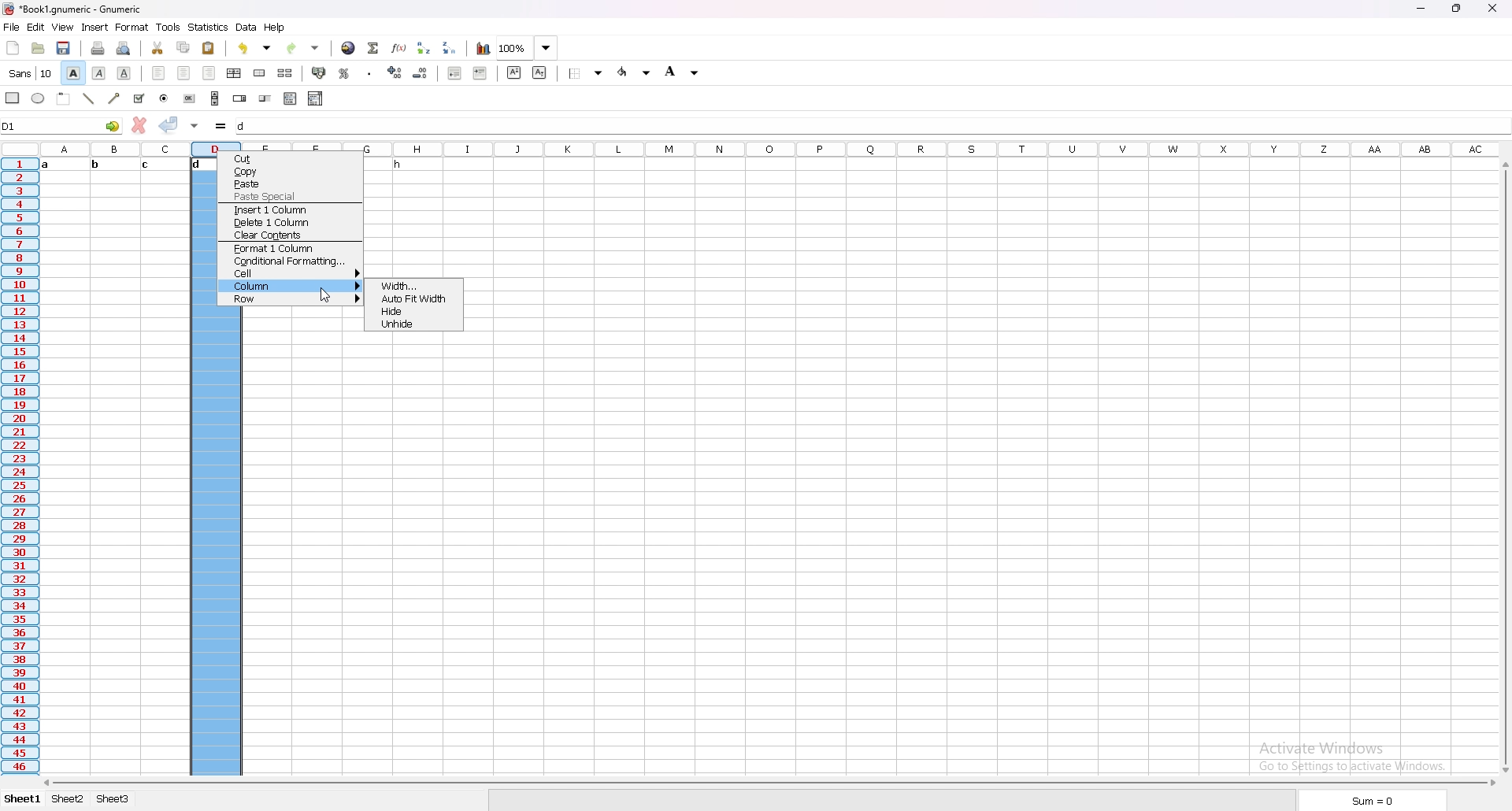 Image resolution: width=1512 pixels, height=811 pixels. Describe the element at coordinates (413, 300) in the screenshot. I see `auto fit width` at that location.